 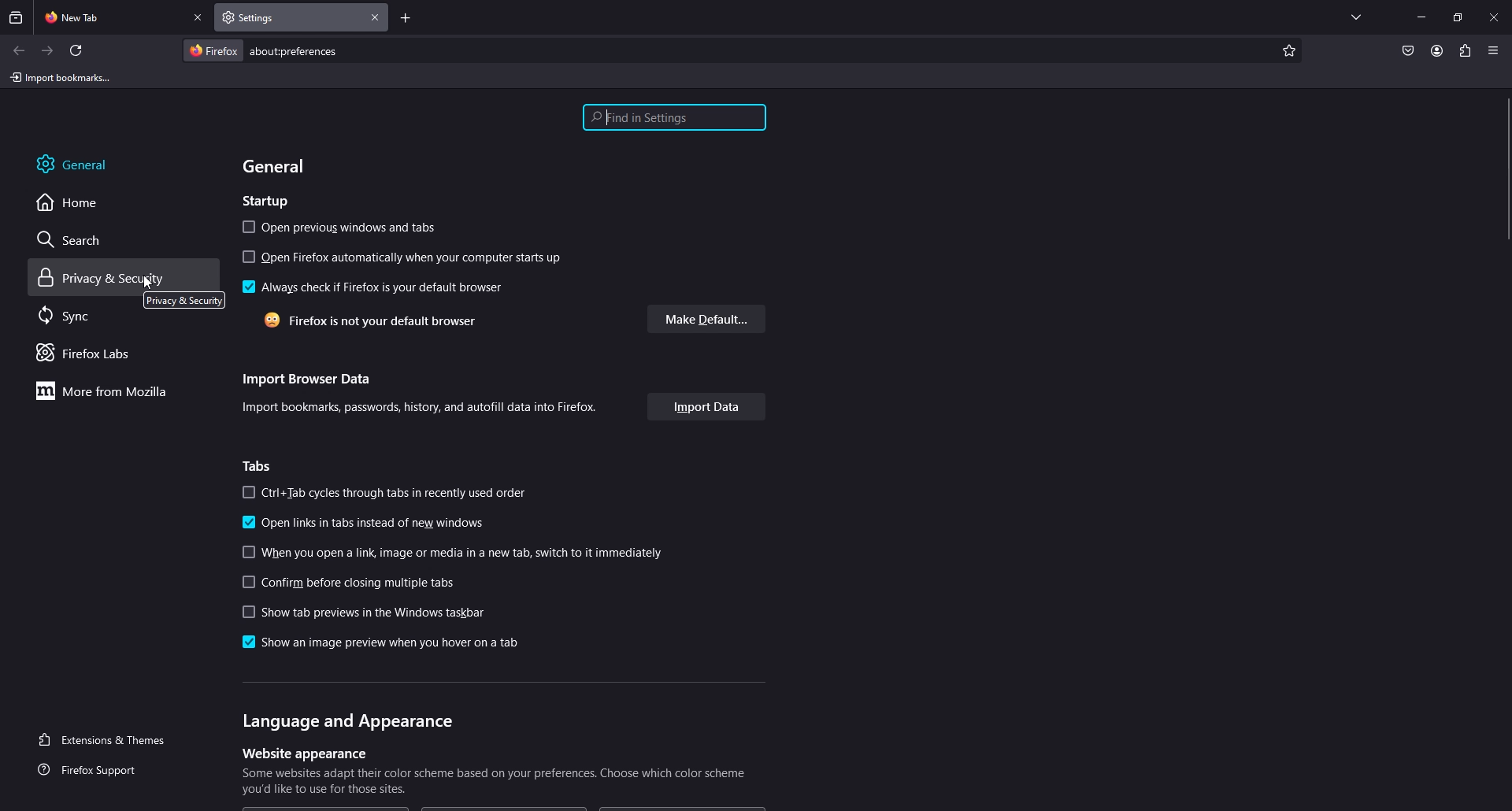 I want to click on firefox support, so click(x=102, y=771).